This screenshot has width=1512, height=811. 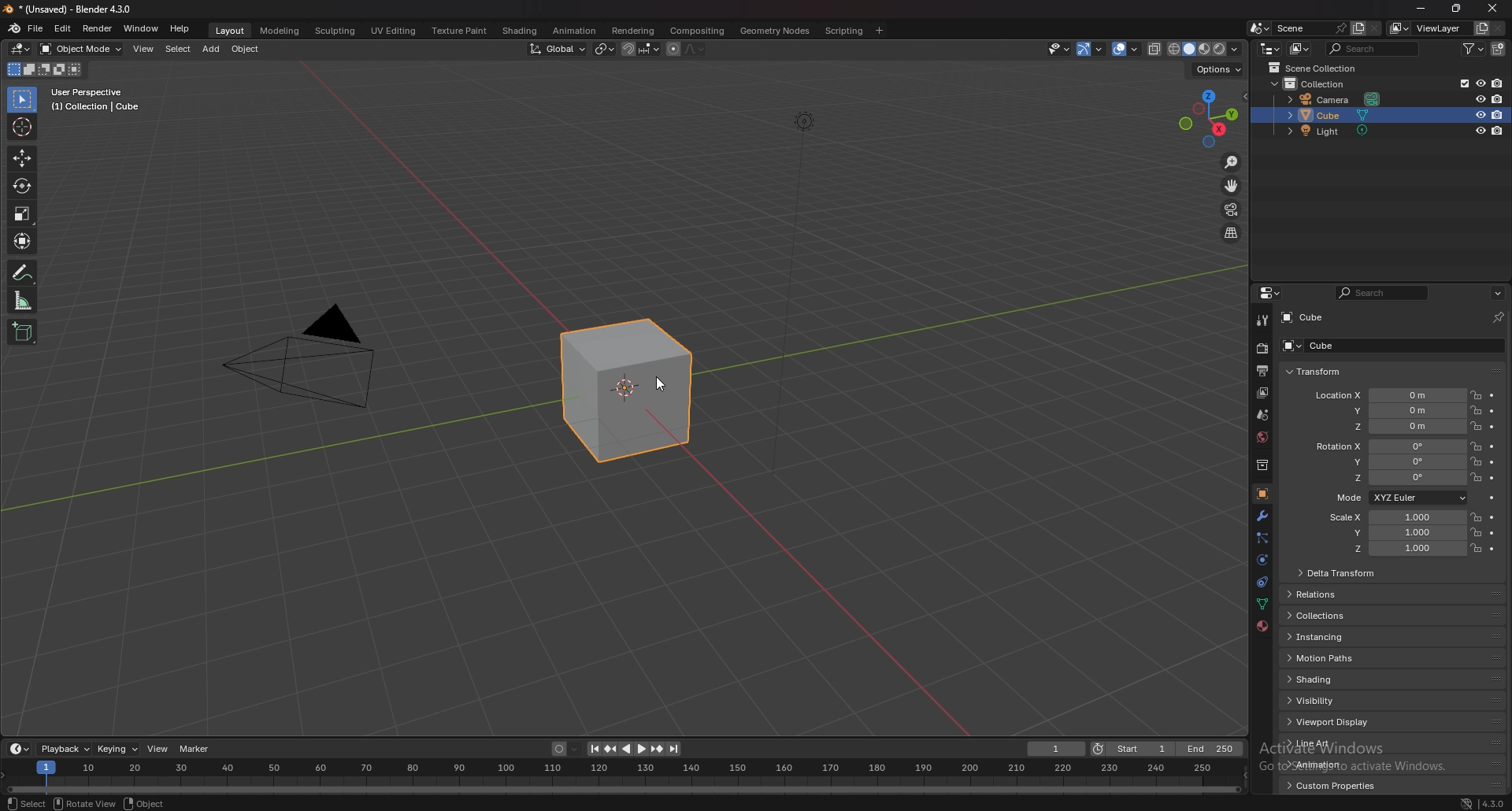 What do you see at coordinates (1388, 477) in the screenshot?
I see `rotation z` at bounding box center [1388, 477].